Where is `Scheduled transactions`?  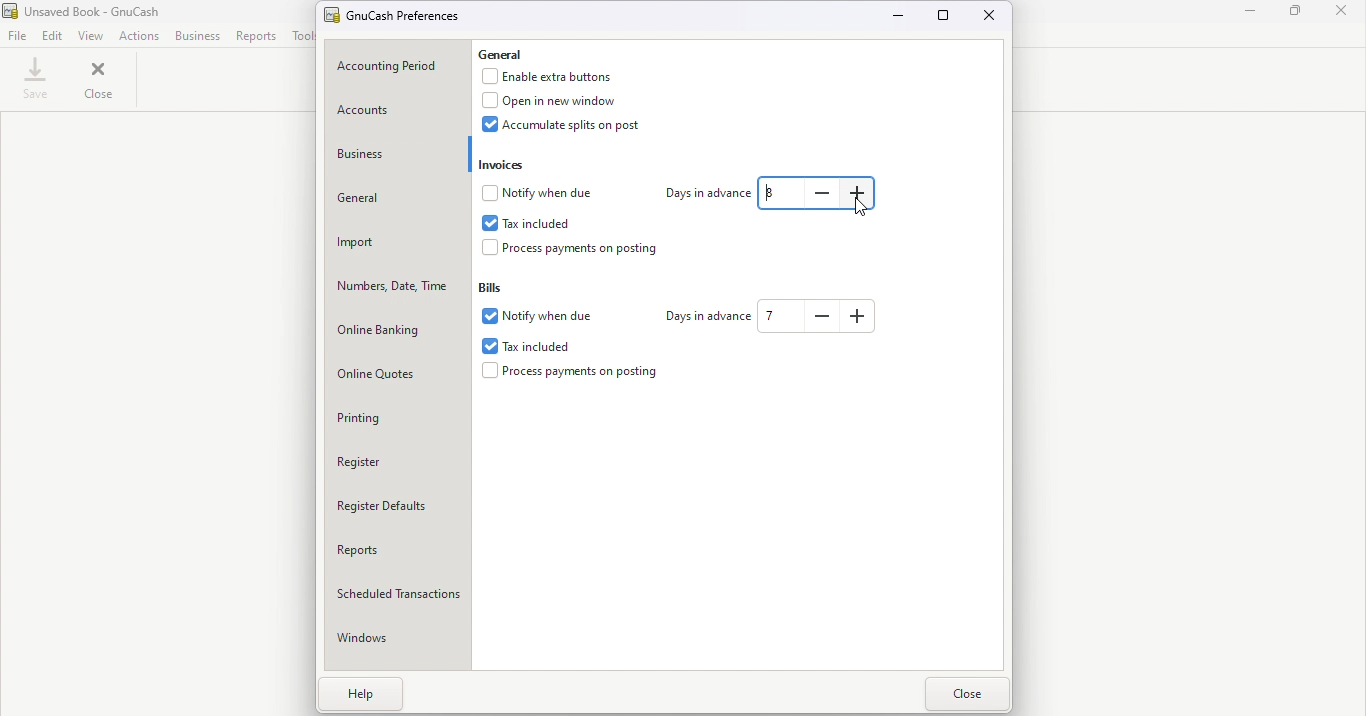
Scheduled transactions is located at coordinates (399, 598).